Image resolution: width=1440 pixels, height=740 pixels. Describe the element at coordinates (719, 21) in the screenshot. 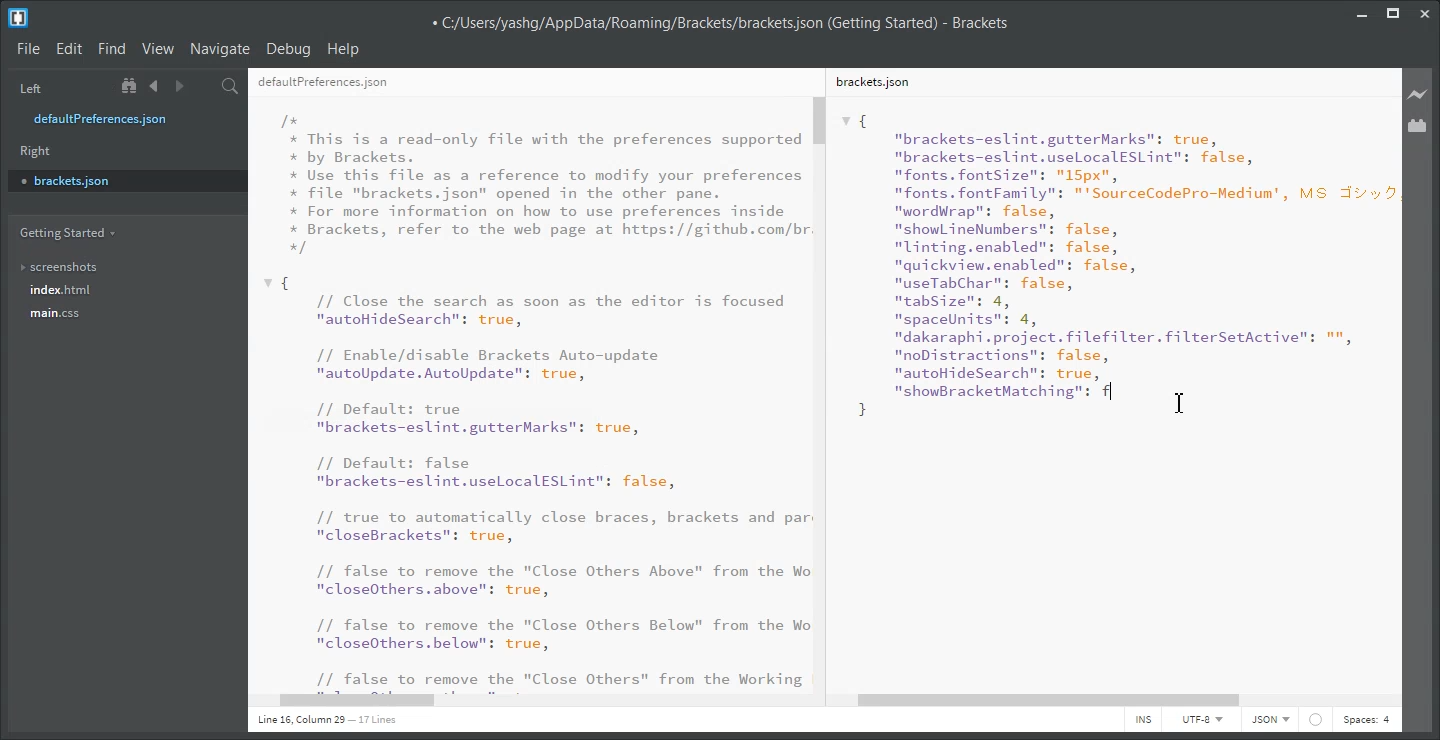

I see `C:/Users/yashg/AppData/Roaming/Brackets/brackets json (Getting Started) - Brackets` at that location.